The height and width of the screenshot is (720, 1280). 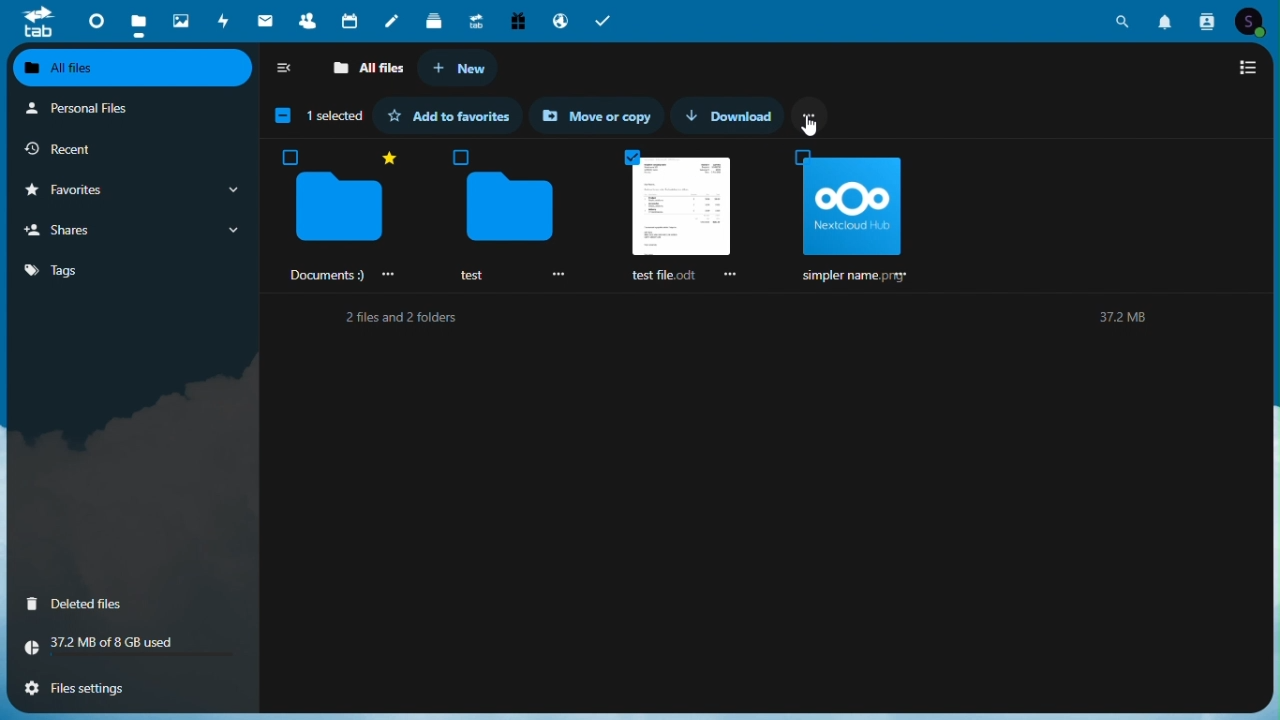 What do you see at coordinates (183, 20) in the screenshot?
I see `Photos` at bounding box center [183, 20].